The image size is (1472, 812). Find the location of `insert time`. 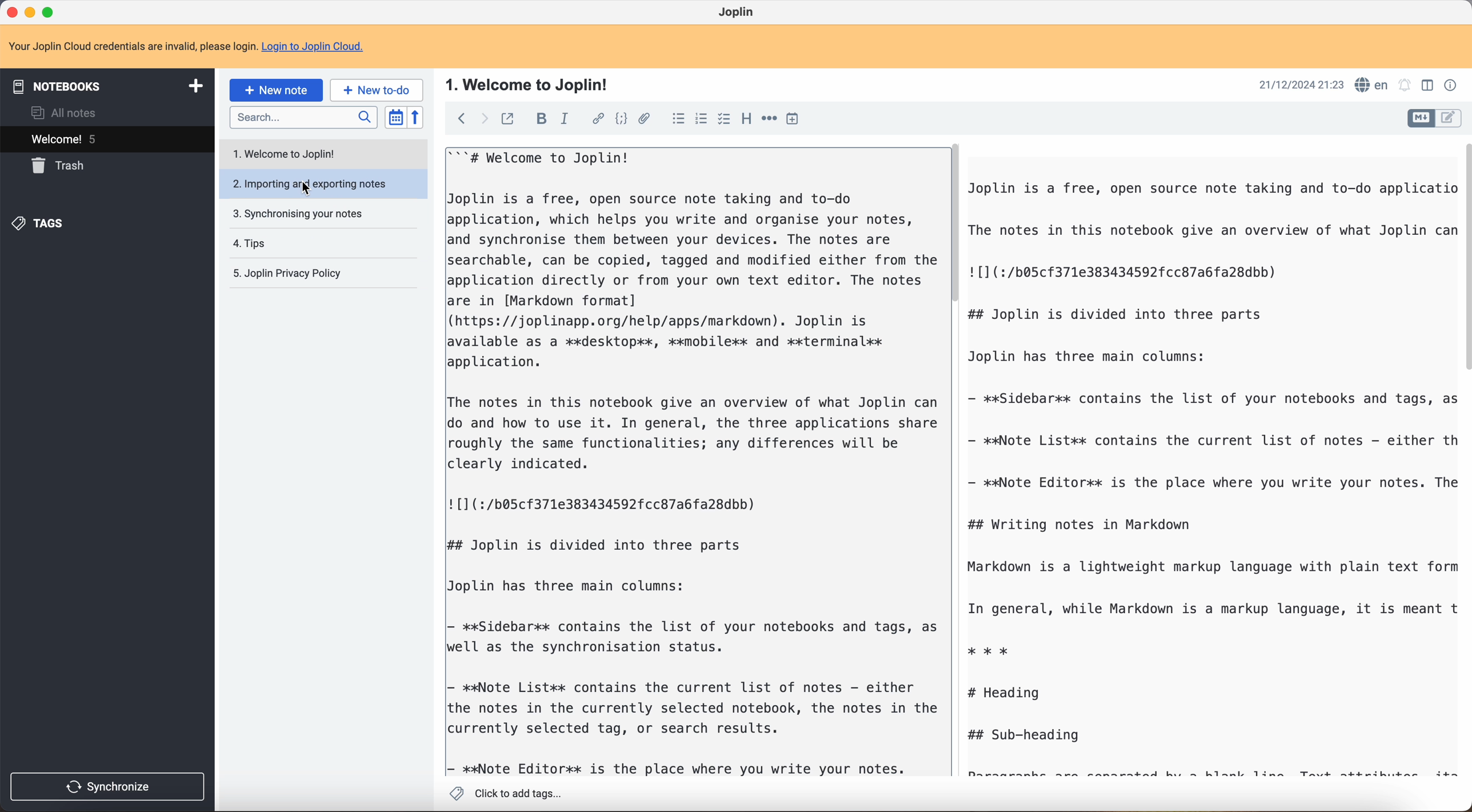

insert time is located at coordinates (795, 120).